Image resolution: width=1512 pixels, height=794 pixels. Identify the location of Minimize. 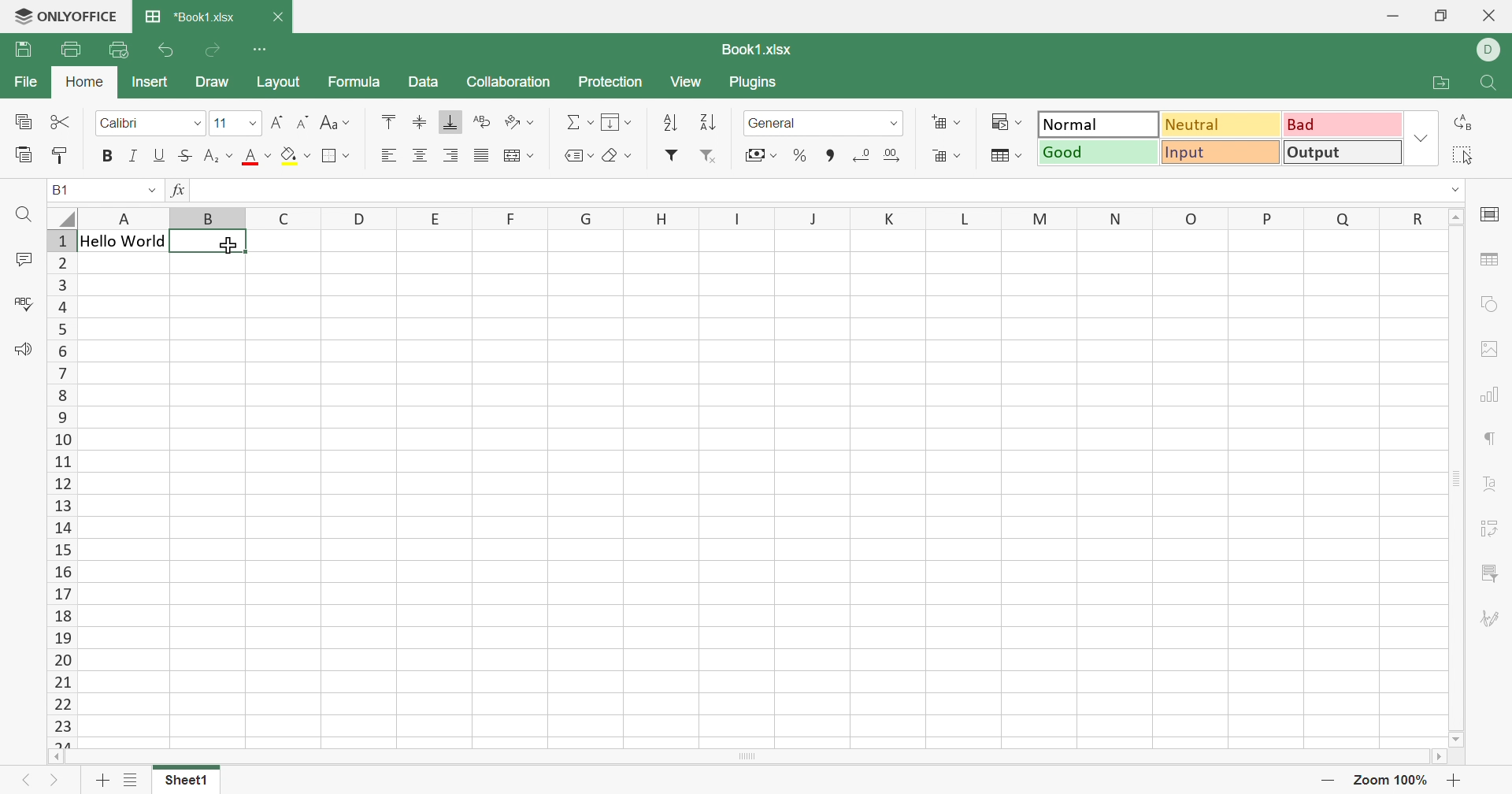
(1392, 15).